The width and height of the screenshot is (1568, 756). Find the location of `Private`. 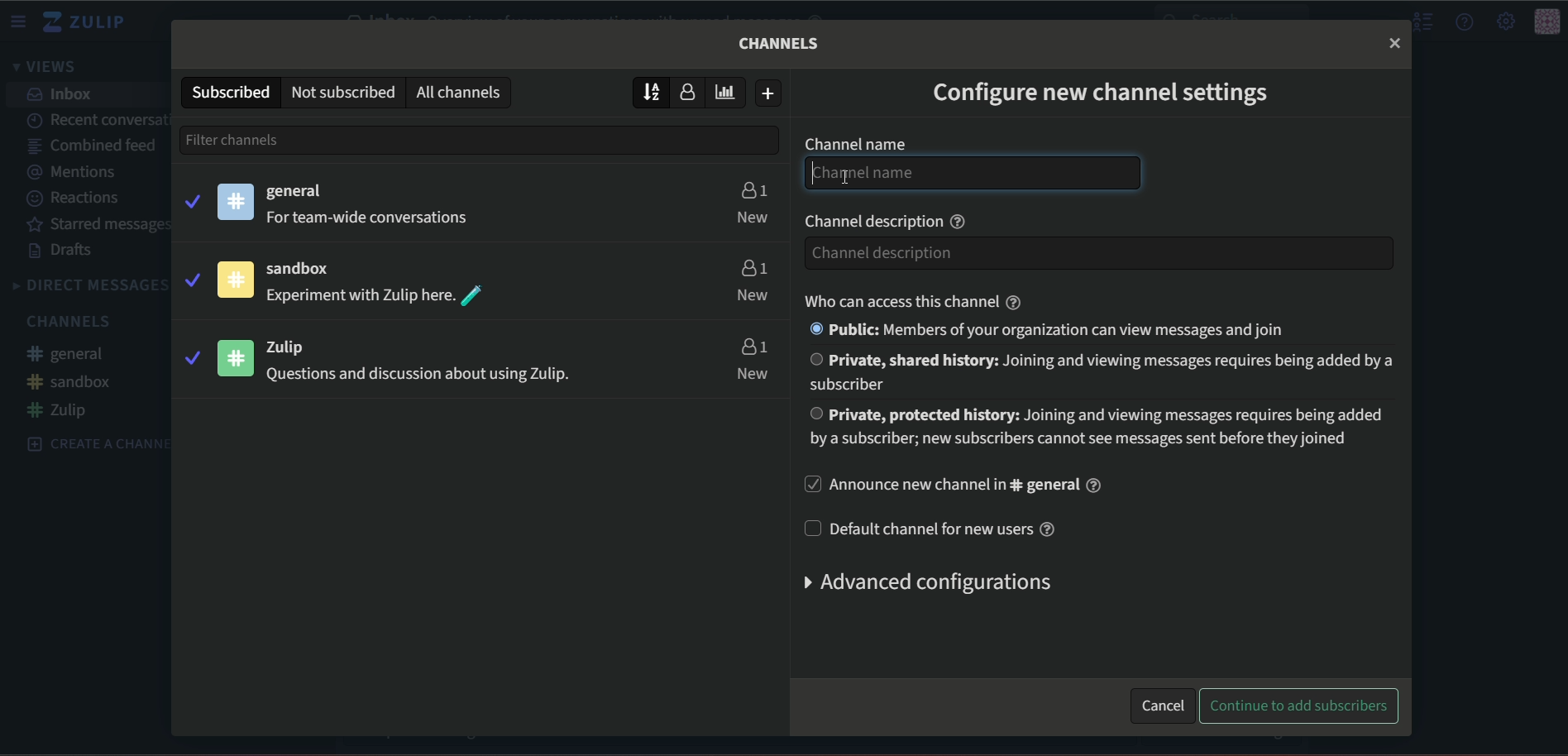

Private is located at coordinates (1100, 370).